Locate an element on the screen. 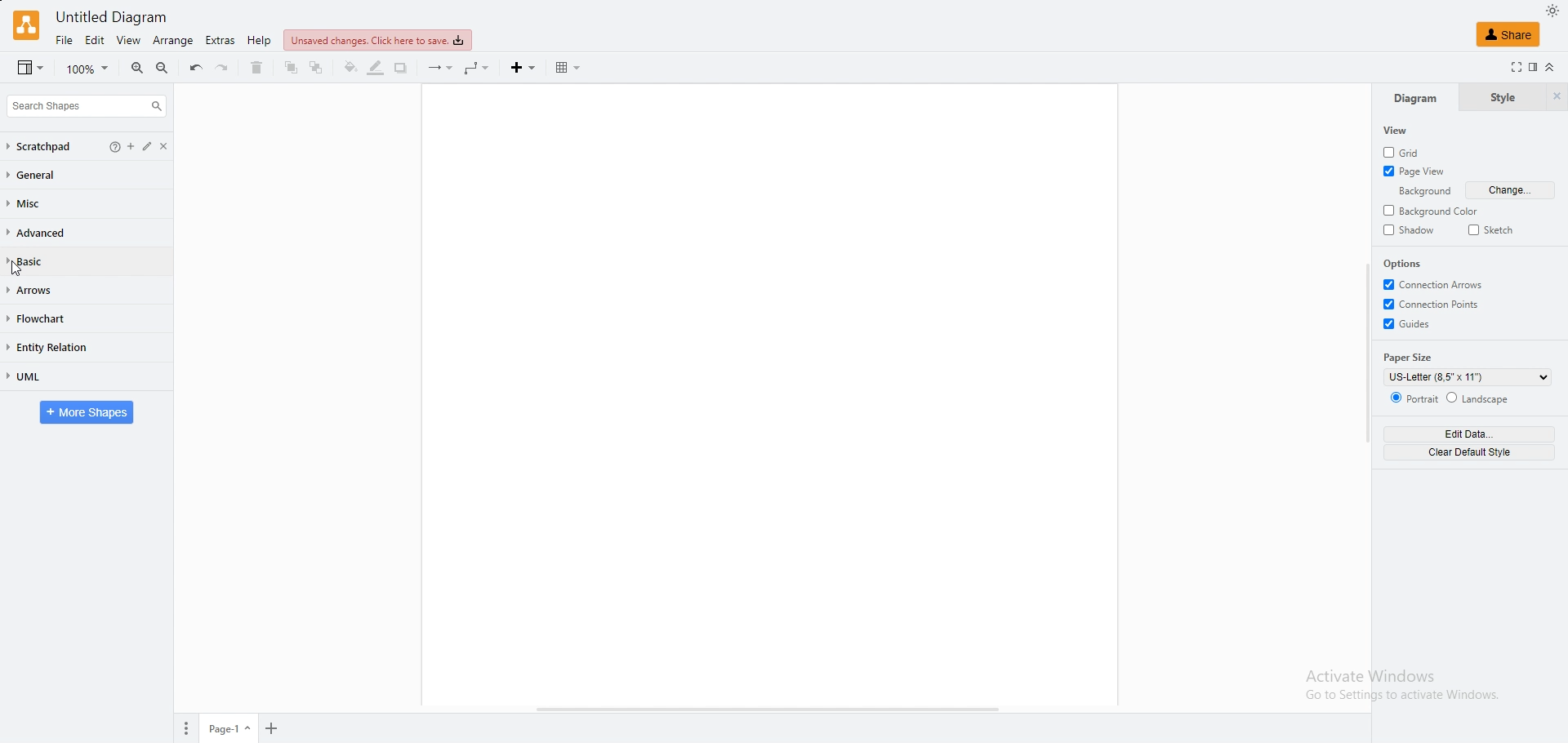 Image resolution: width=1568 pixels, height=743 pixels. insert is located at coordinates (525, 68).